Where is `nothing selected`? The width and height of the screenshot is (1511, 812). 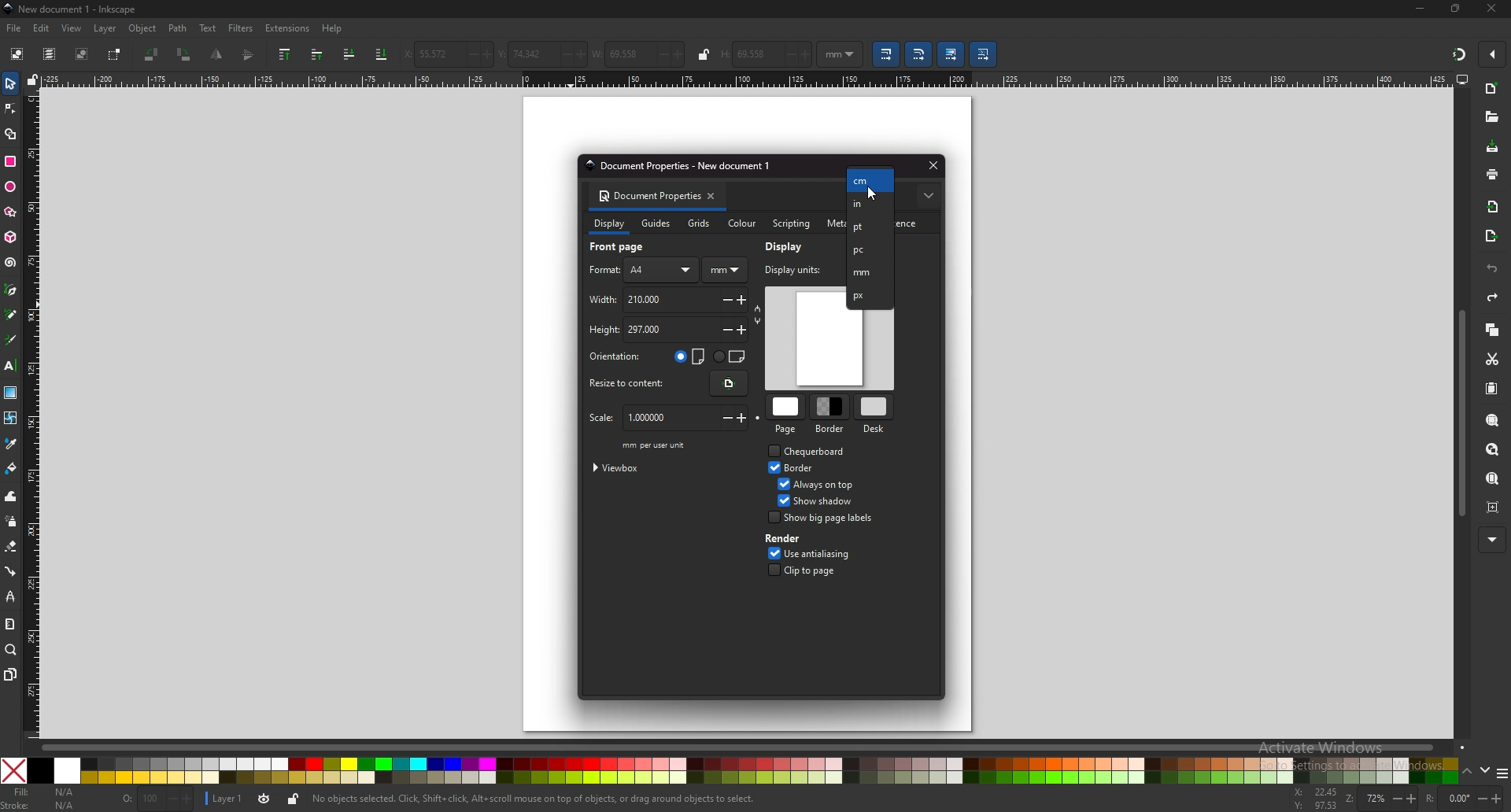
nothing selected is located at coordinates (157, 800).